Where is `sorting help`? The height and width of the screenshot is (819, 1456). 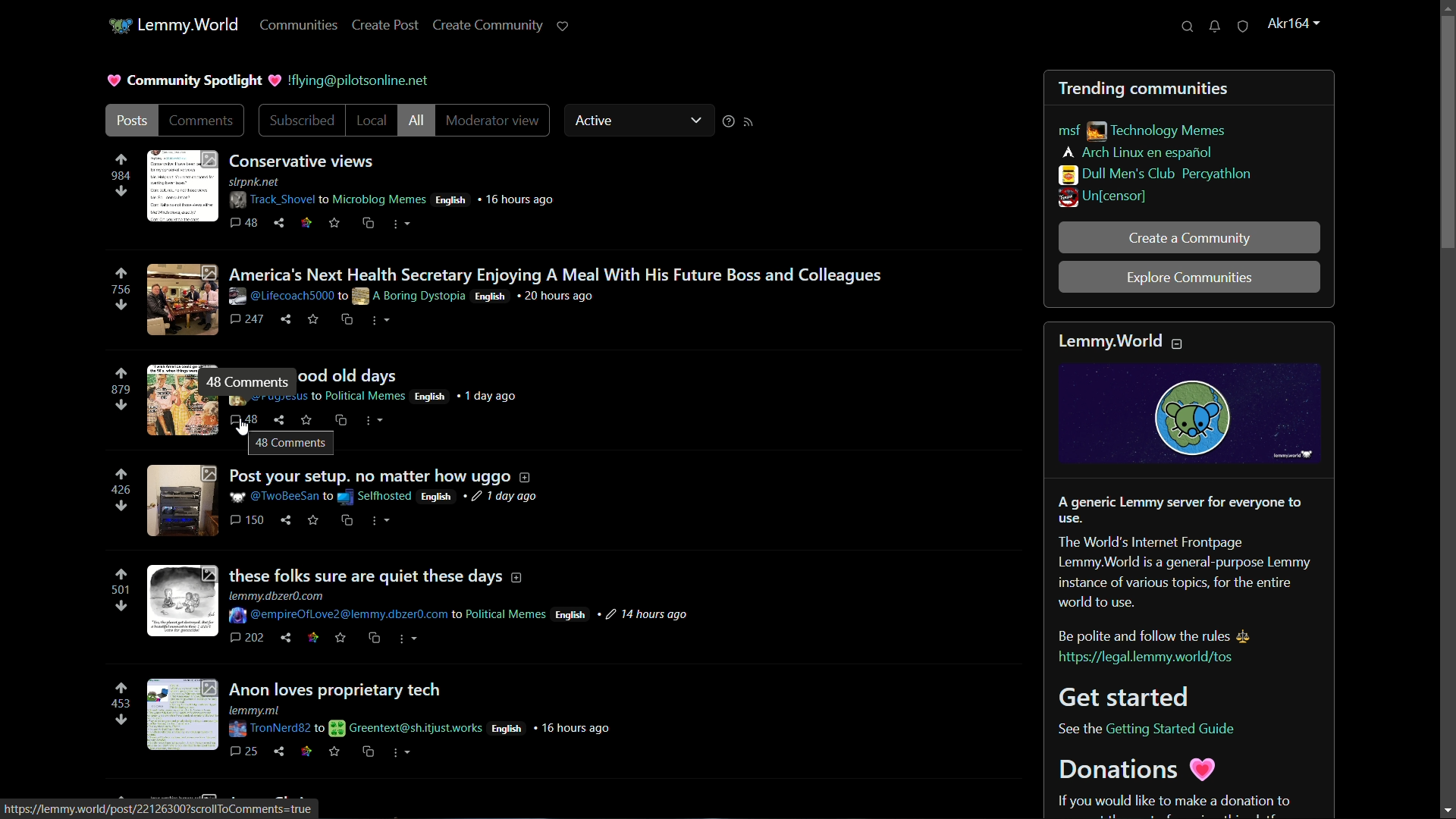 sorting help is located at coordinates (726, 122).